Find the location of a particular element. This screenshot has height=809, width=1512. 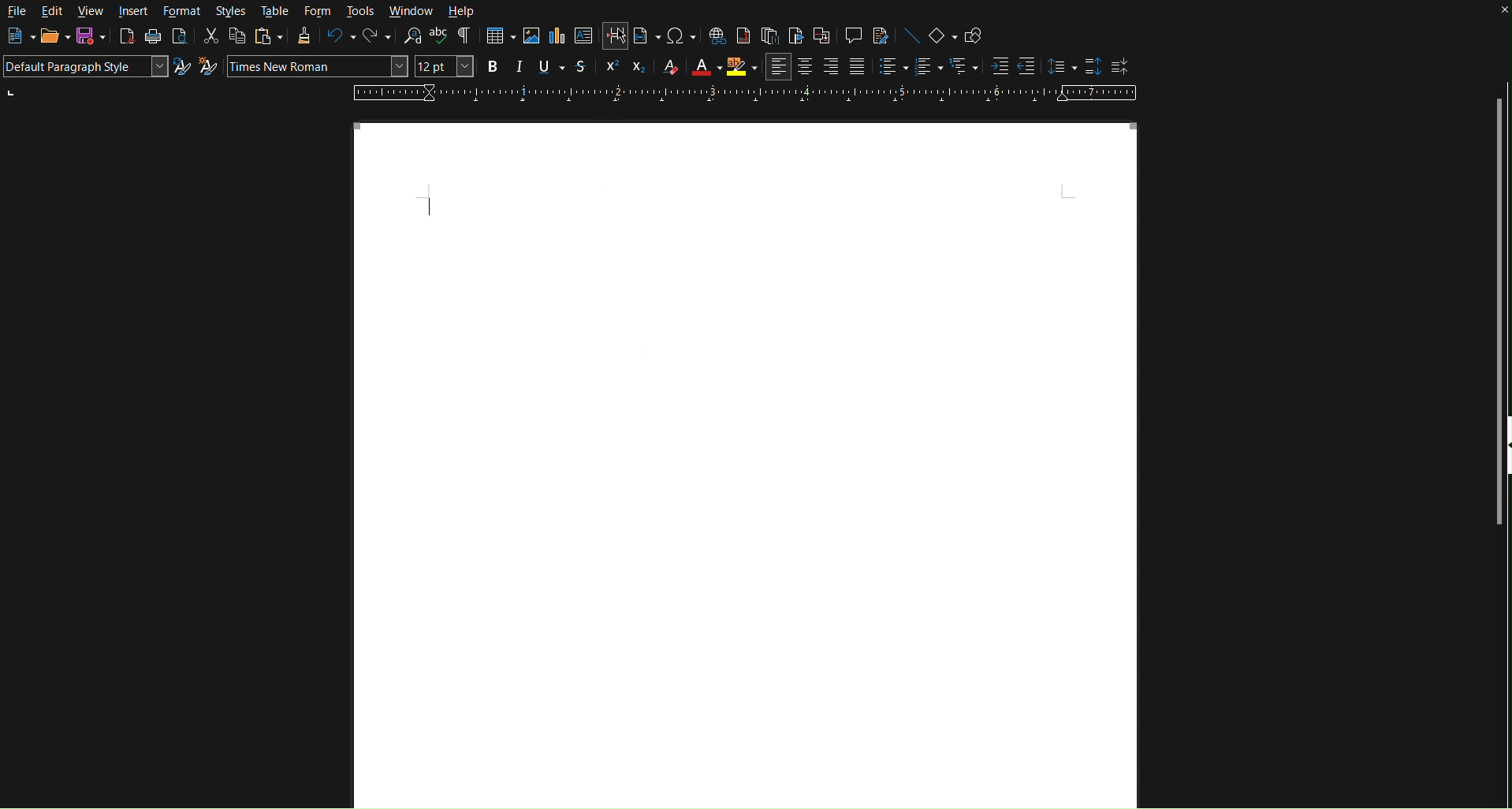

Form is located at coordinates (315, 11).